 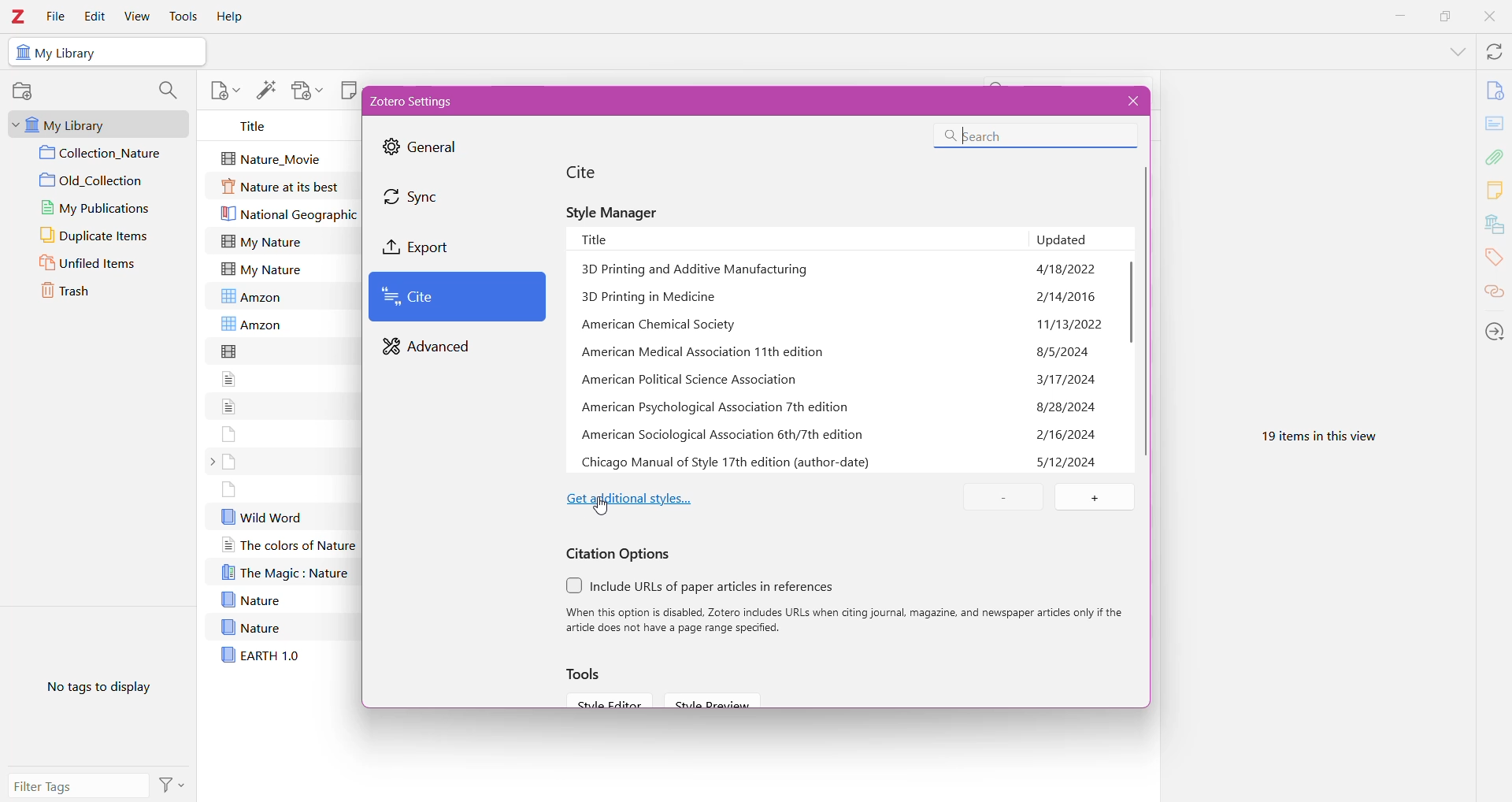 What do you see at coordinates (230, 489) in the screenshot?
I see `file without title` at bounding box center [230, 489].